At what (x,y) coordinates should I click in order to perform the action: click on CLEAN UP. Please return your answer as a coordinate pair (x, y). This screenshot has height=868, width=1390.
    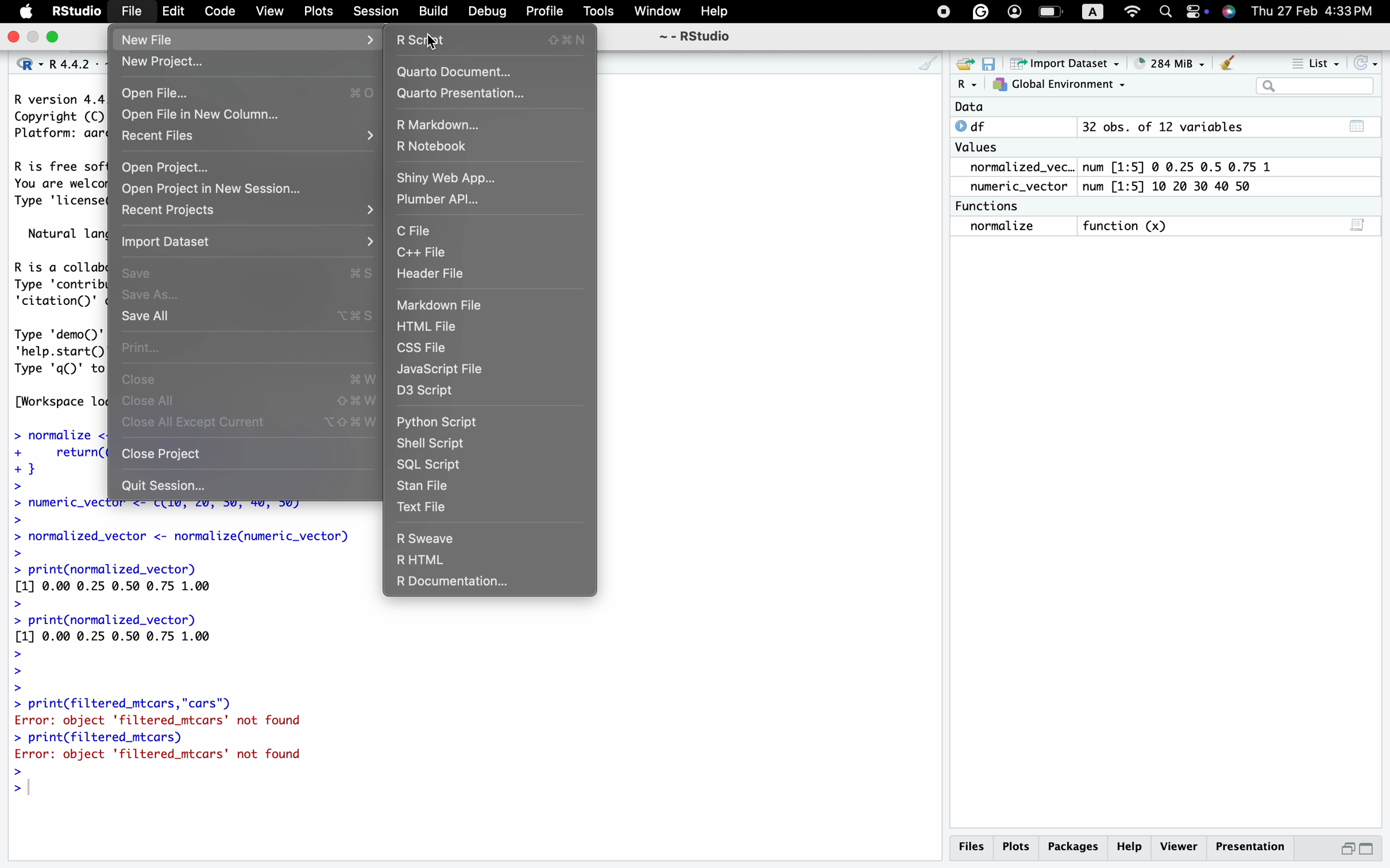
    Looking at the image, I should click on (914, 64).